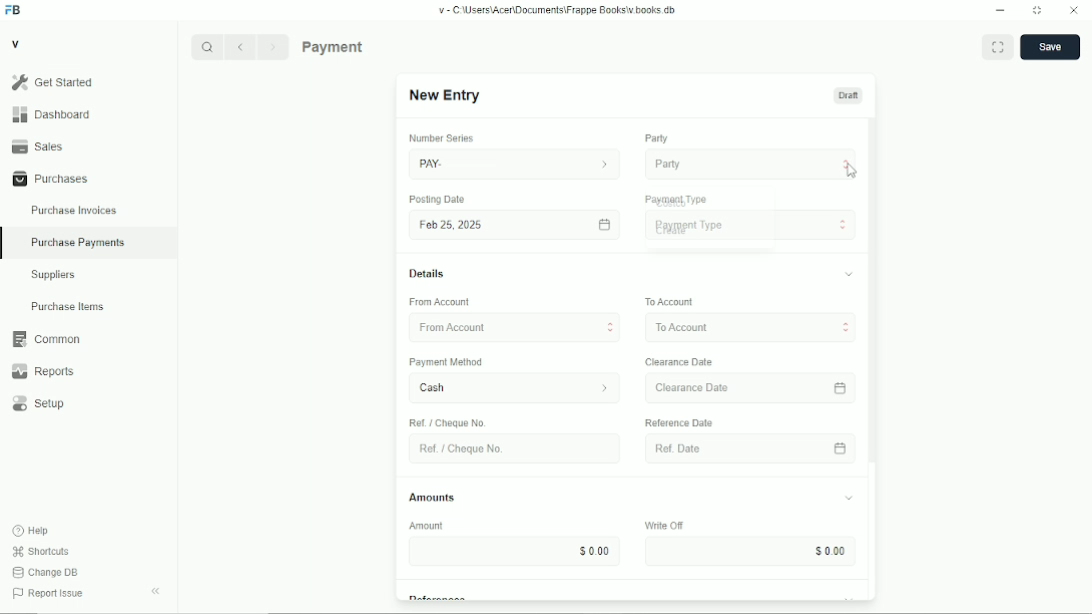 Image resolution: width=1092 pixels, height=614 pixels. Describe the element at coordinates (89, 275) in the screenshot. I see `Suppliers` at that location.